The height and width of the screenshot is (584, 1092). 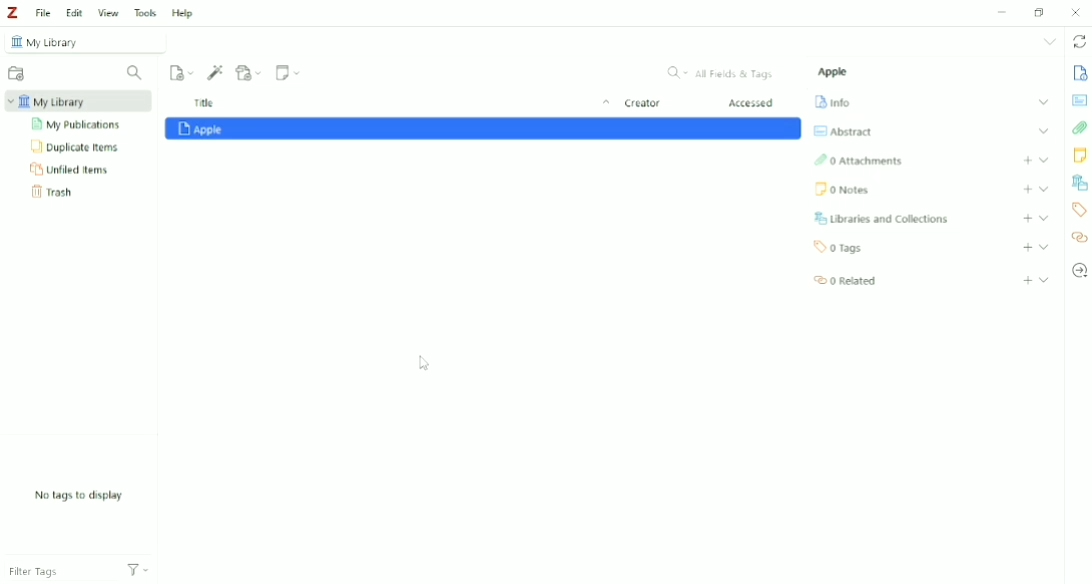 What do you see at coordinates (44, 14) in the screenshot?
I see `File` at bounding box center [44, 14].